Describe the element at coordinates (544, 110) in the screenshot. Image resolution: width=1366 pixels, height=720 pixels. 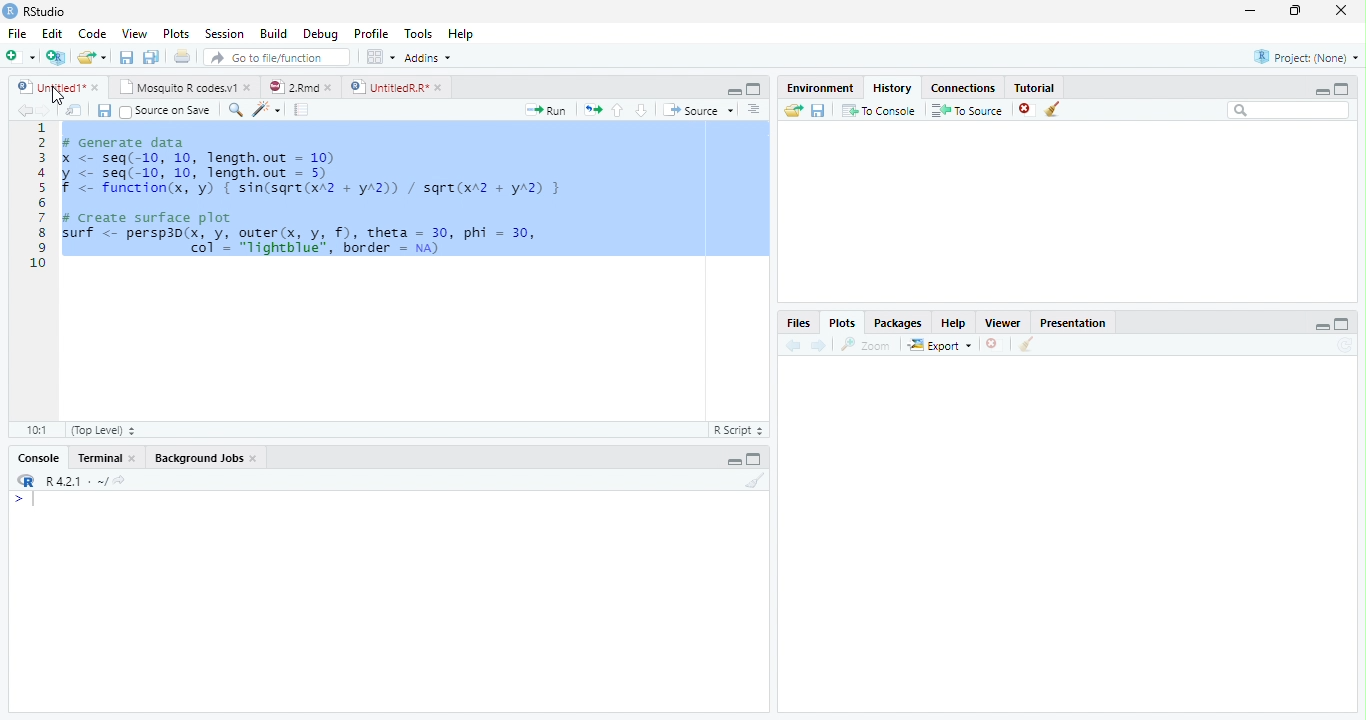
I see `Run` at that location.